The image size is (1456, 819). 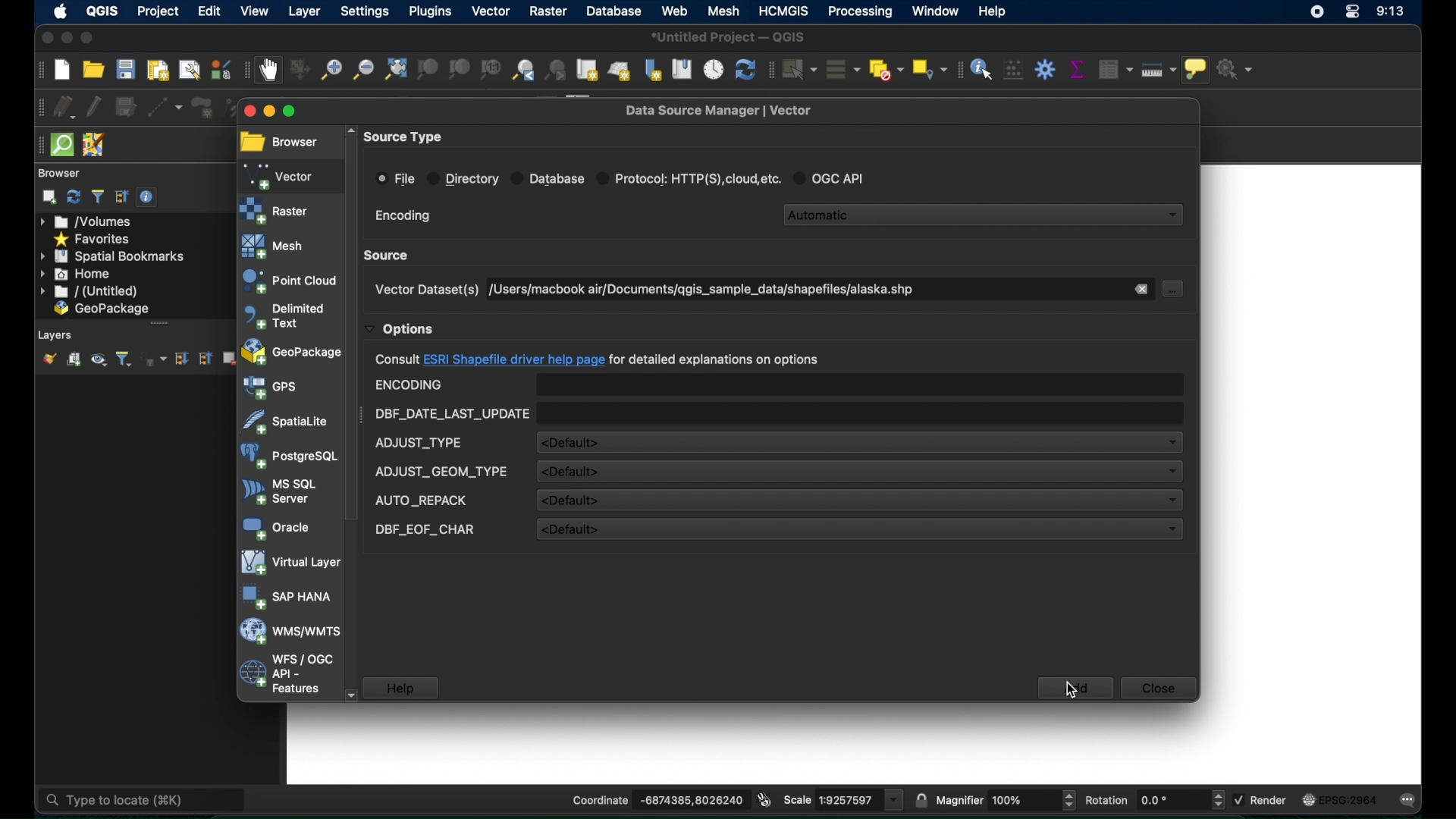 What do you see at coordinates (644, 796) in the screenshot?
I see `coordinate ` at bounding box center [644, 796].